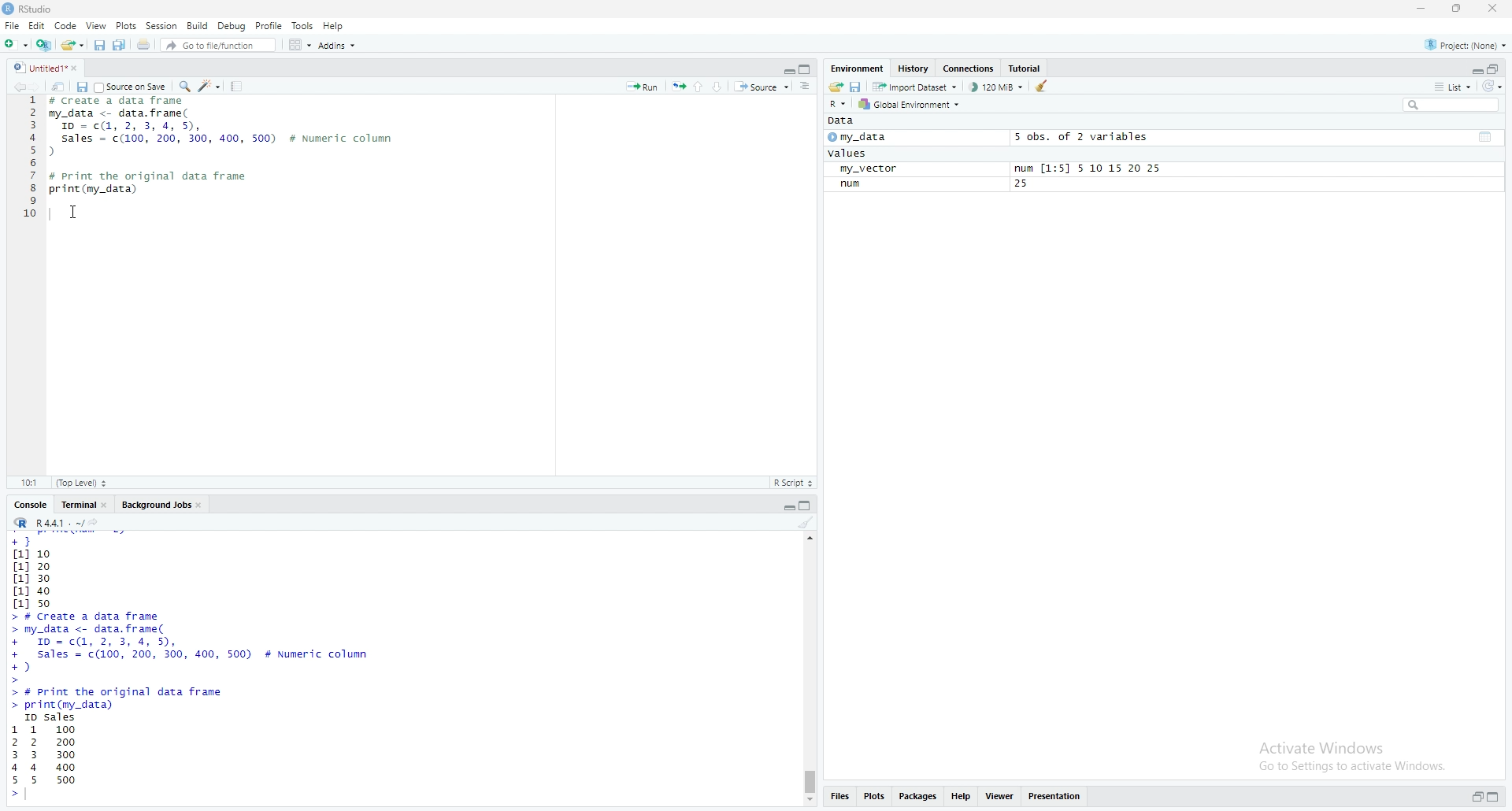 The height and width of the screenshot is (811, 1512). What do you see at coordinates (876, 799) in the screenshot?
I see `plots` at bounding box center [876, 799].